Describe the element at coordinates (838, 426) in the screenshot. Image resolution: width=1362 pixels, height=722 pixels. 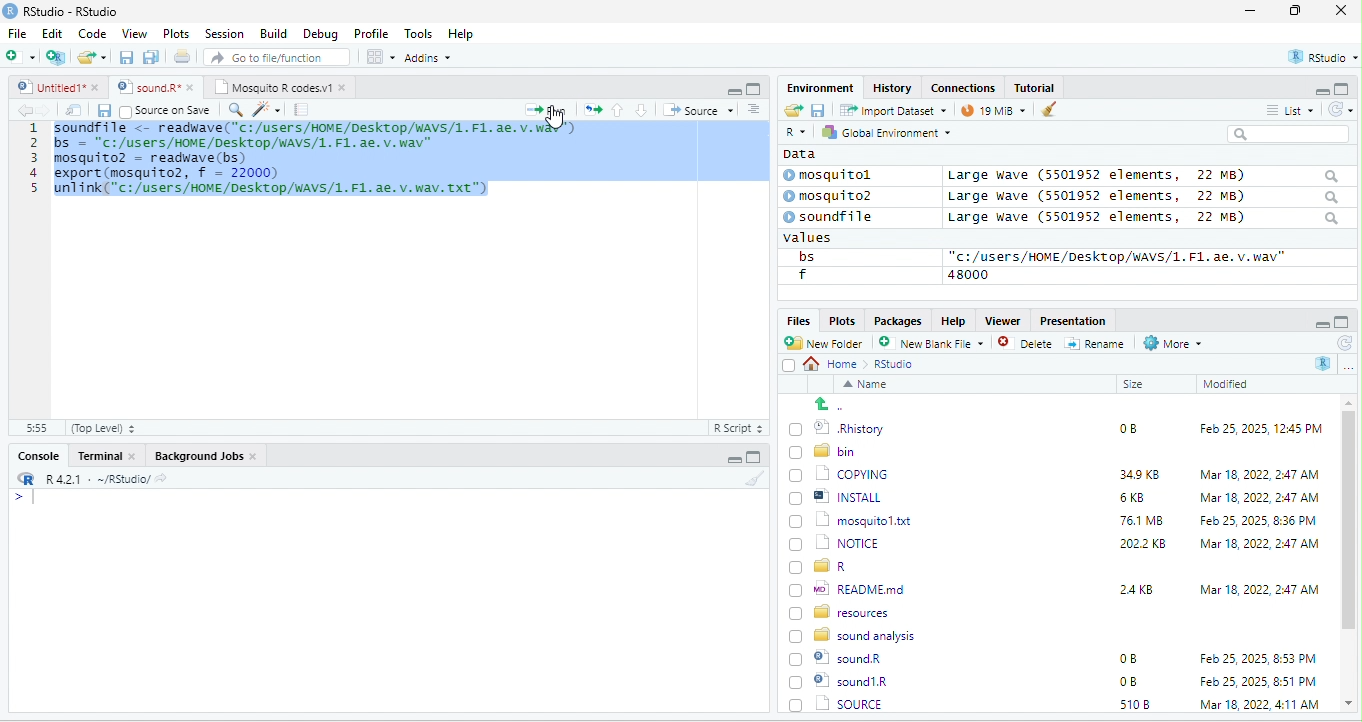
I see `© Rhistory` at that location.